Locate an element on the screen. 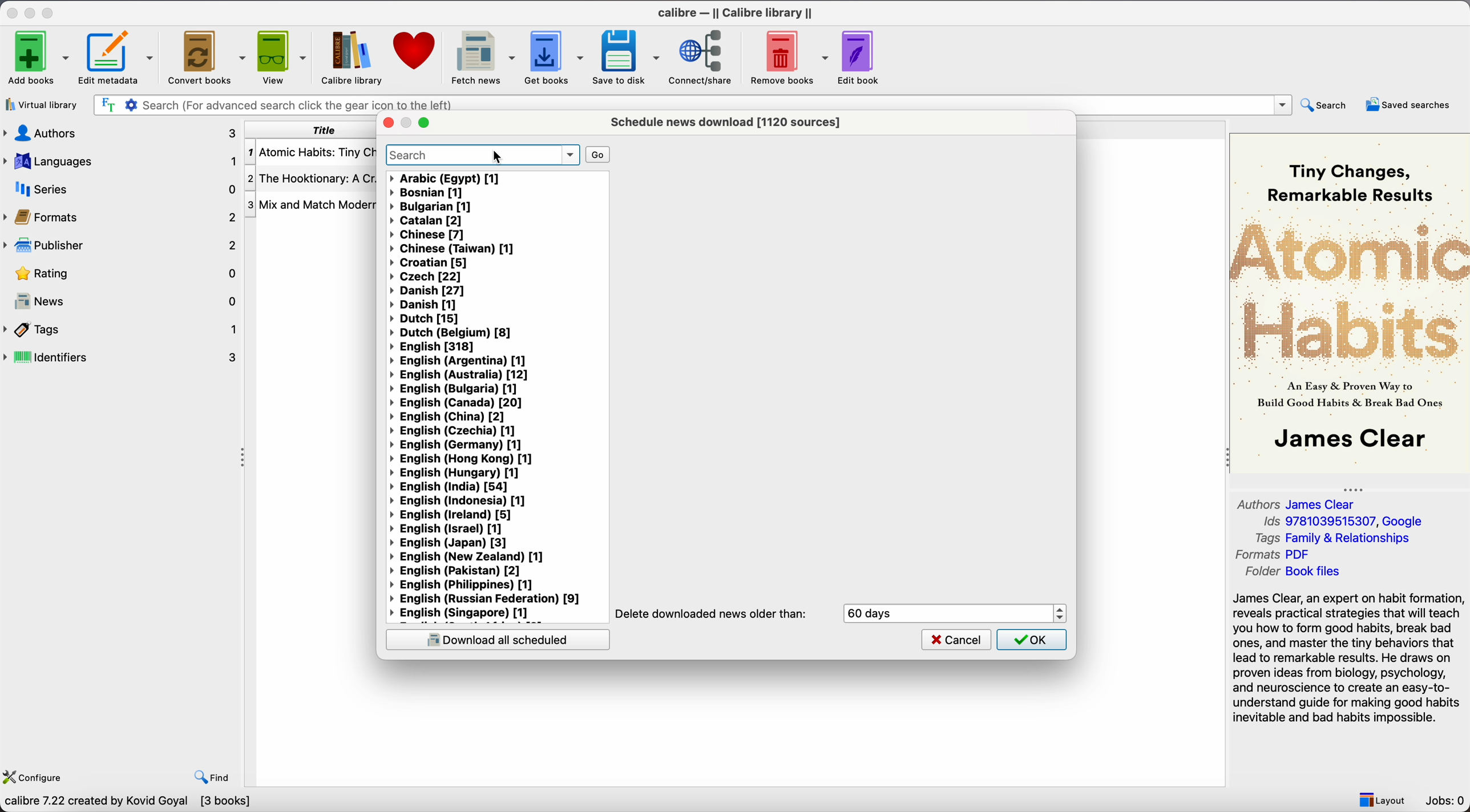 This screenshot has height=812, width=1470. Folder Book files is located at coordinates (1293, 572).